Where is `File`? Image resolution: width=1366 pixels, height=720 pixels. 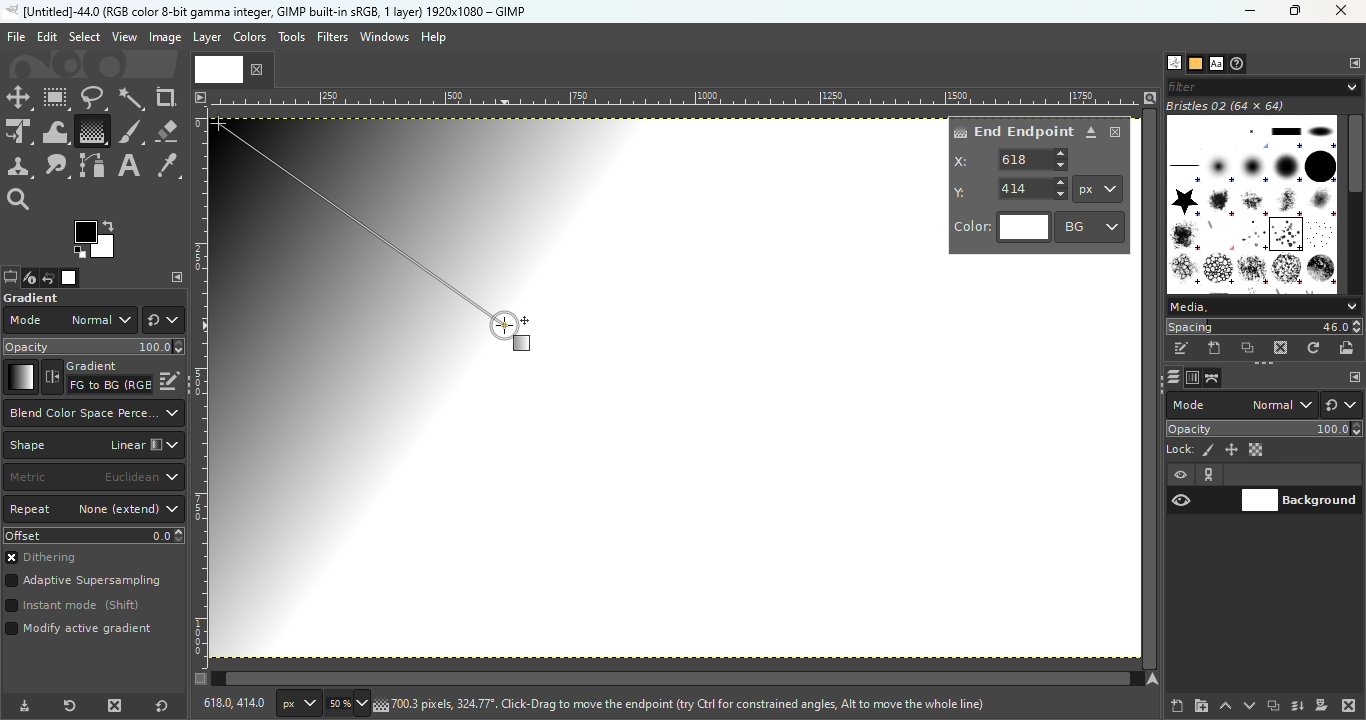
File is located at coordinates (16, 37).